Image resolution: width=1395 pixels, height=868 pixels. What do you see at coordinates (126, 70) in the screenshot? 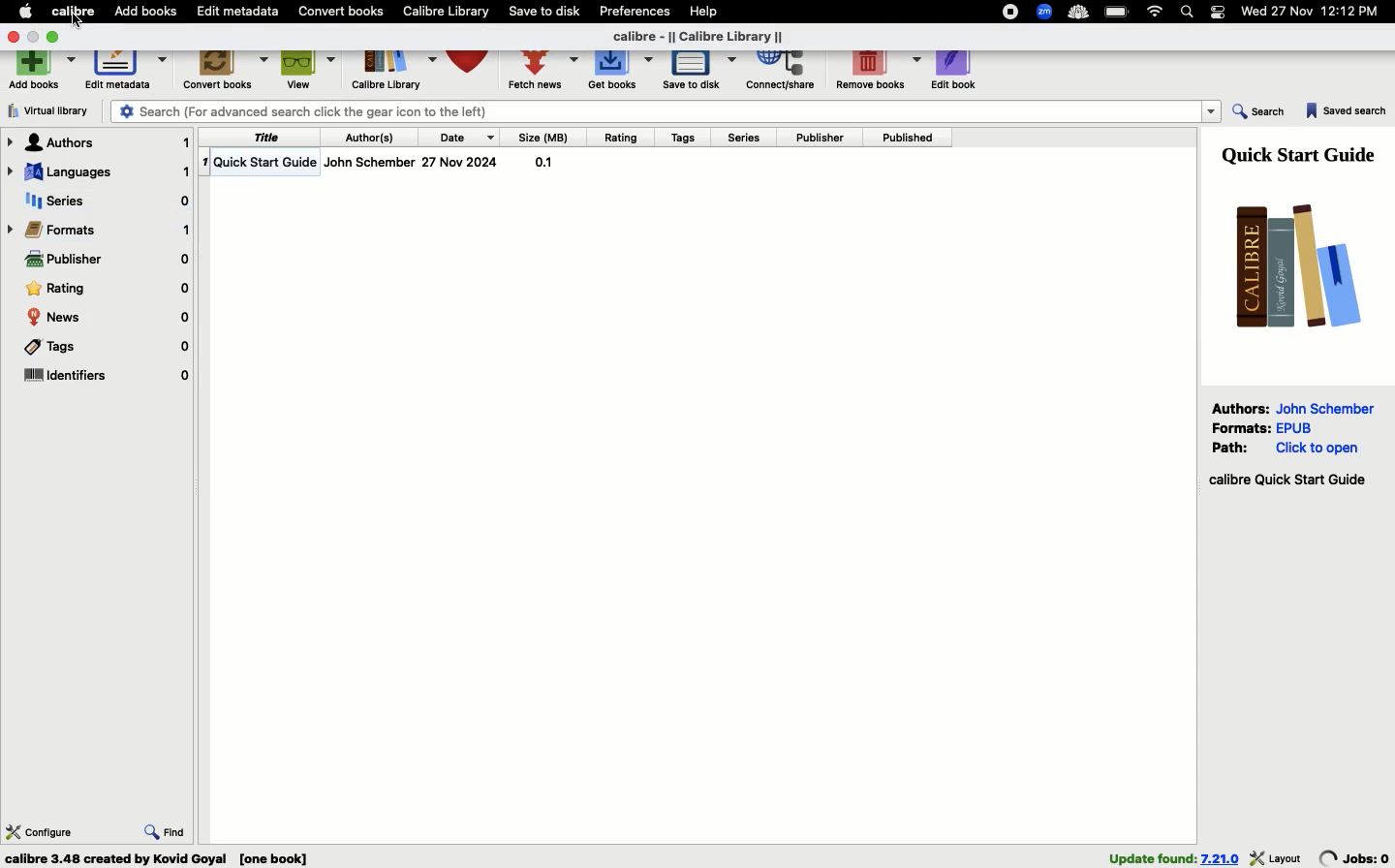
I see `Edit metadata` at bounding box center [126, 70].